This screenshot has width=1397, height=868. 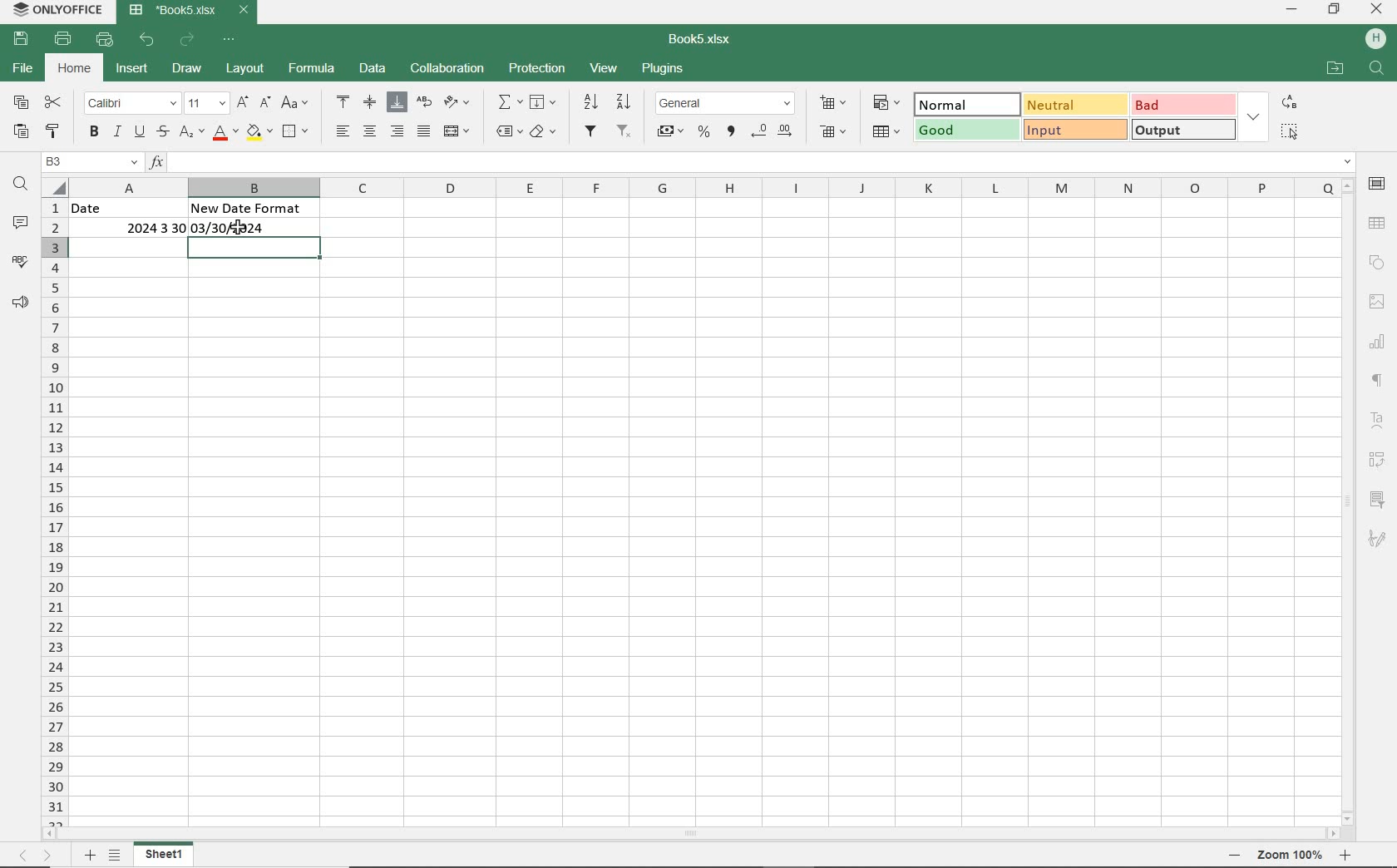 I want to click on NORMAL, so click(x=964, y=105).